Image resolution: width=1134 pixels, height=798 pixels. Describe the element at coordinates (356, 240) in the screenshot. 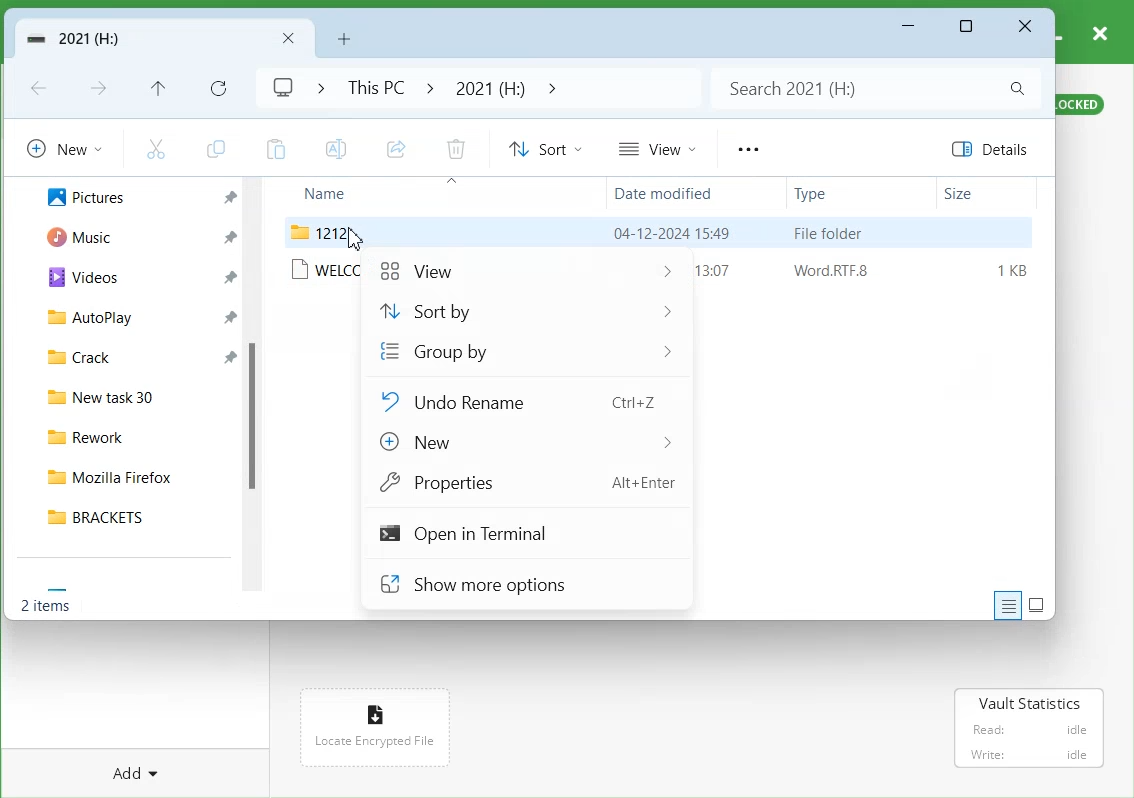

I see `Cursor` at that location.